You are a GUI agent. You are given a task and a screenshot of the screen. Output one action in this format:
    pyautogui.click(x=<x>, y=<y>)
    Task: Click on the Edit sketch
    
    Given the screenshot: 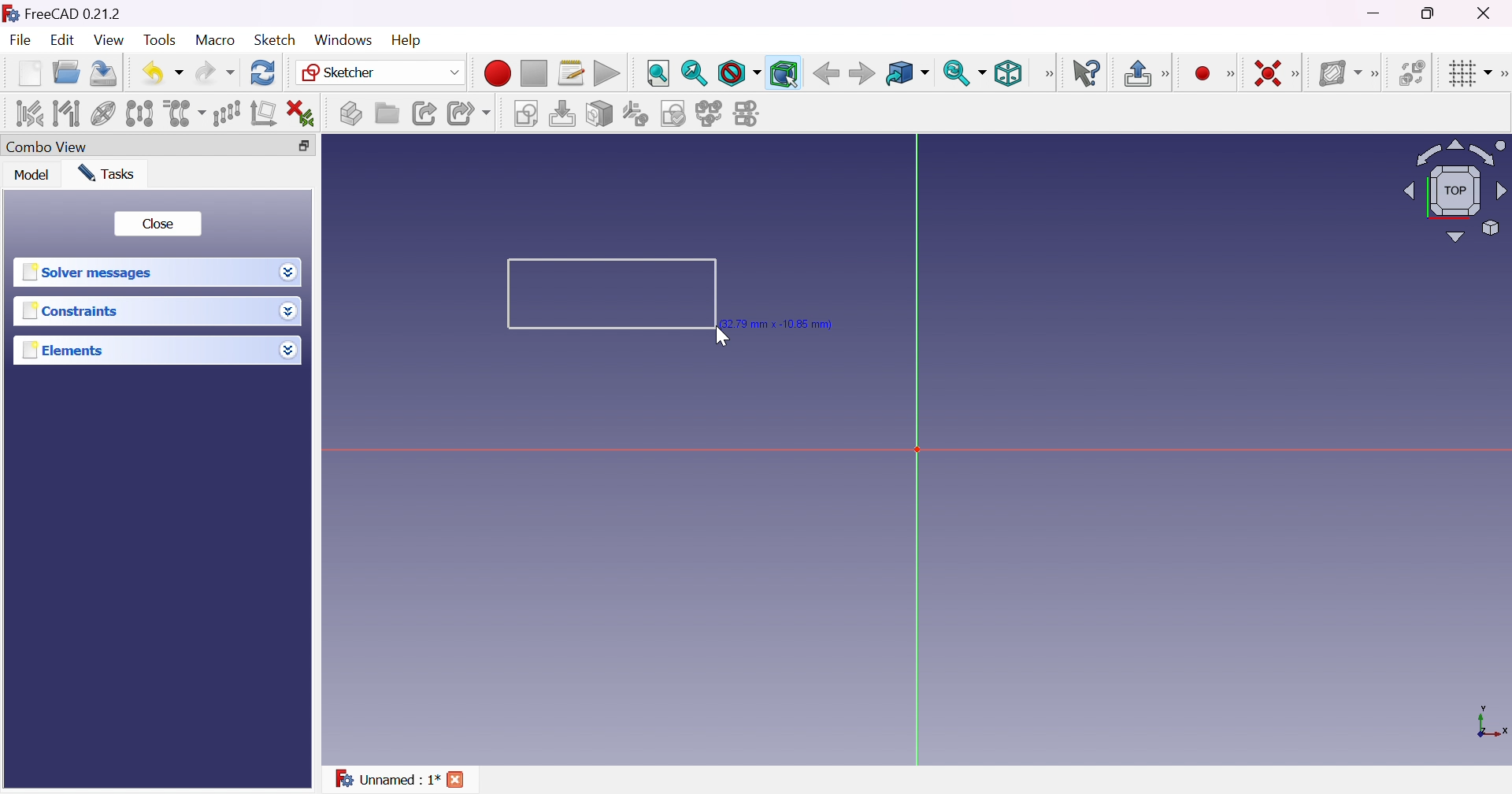 What is the action you would take?
    pyautogui.click(x=561, y=113)
    